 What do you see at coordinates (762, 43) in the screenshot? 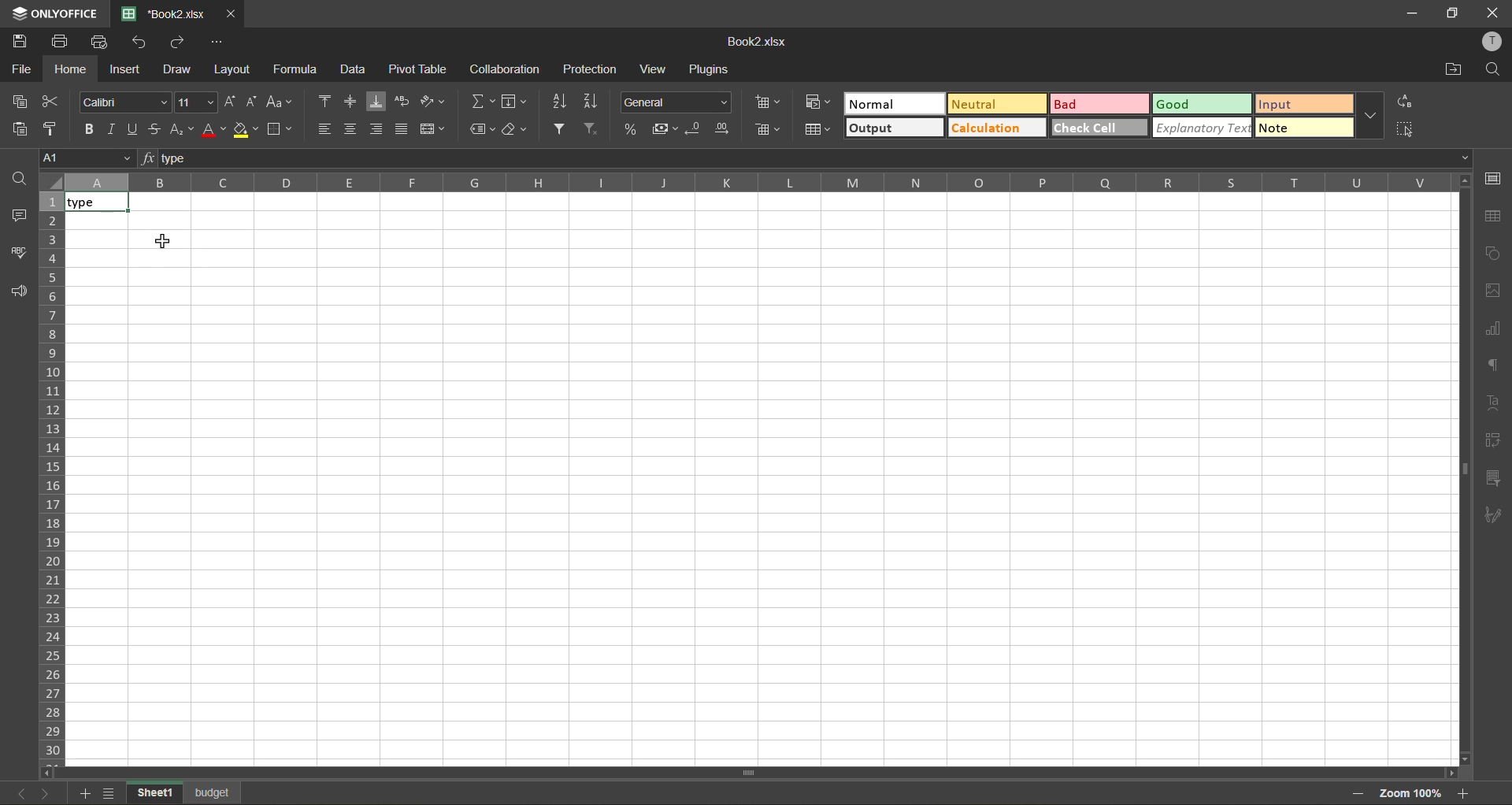
I see `filename` at bounding box center [762, 43].